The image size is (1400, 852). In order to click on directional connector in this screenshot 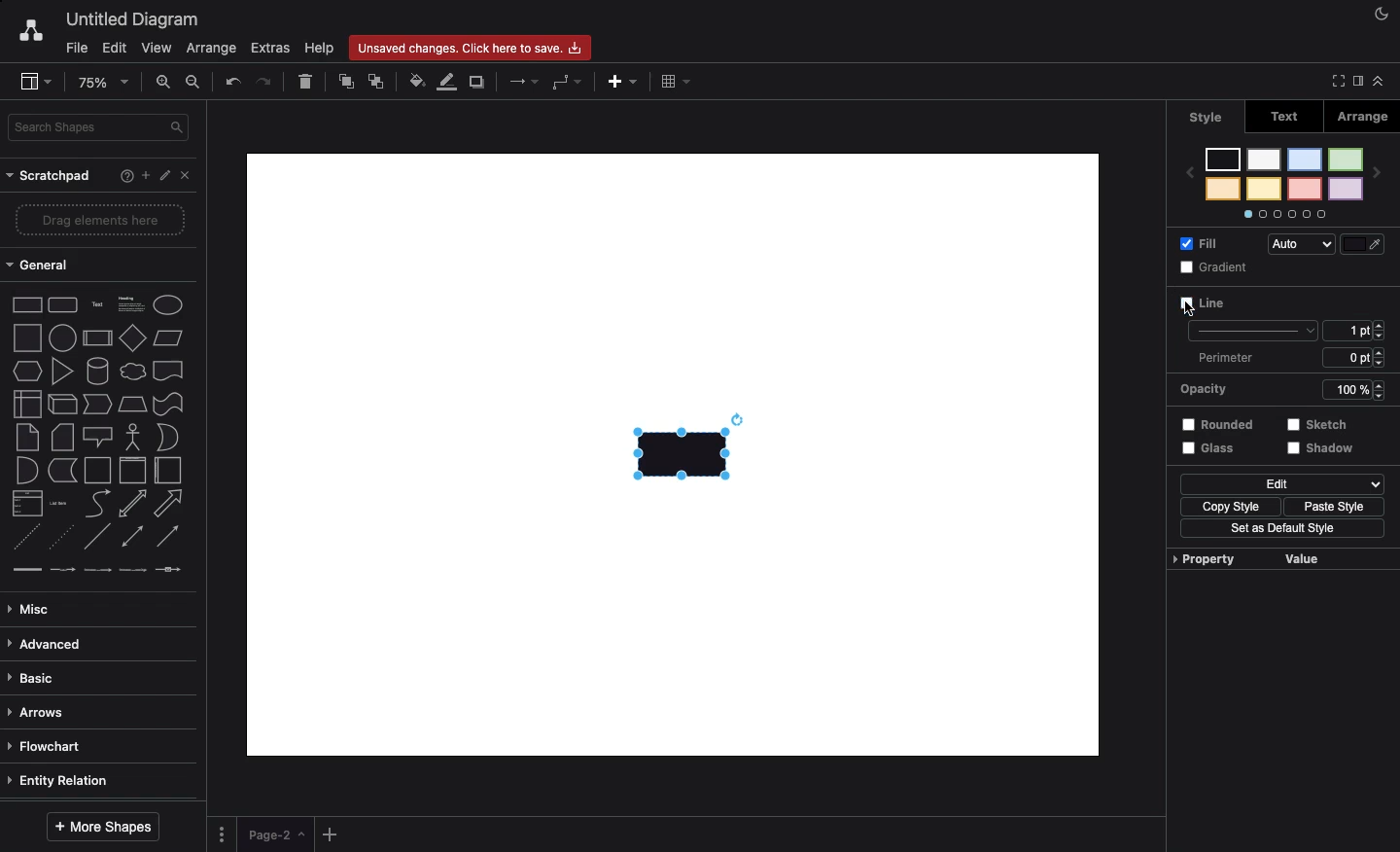, I will do `click(168, 535)`.